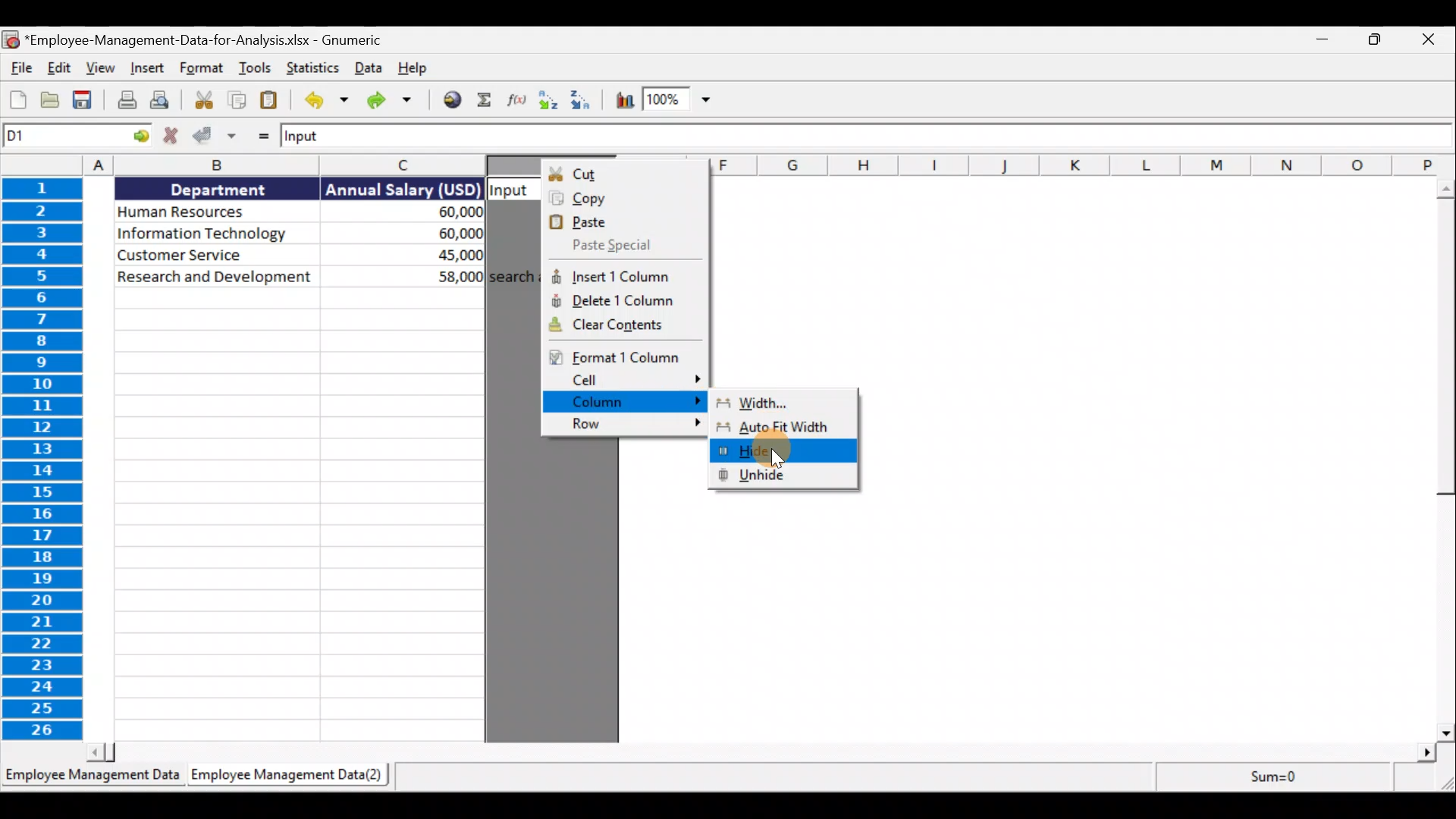 The height and width of the screenshot is (819, 1456). What do you see at coordinates (61, 64) in the screenshot?
I see `Edit` at bounding box center [61, 64].